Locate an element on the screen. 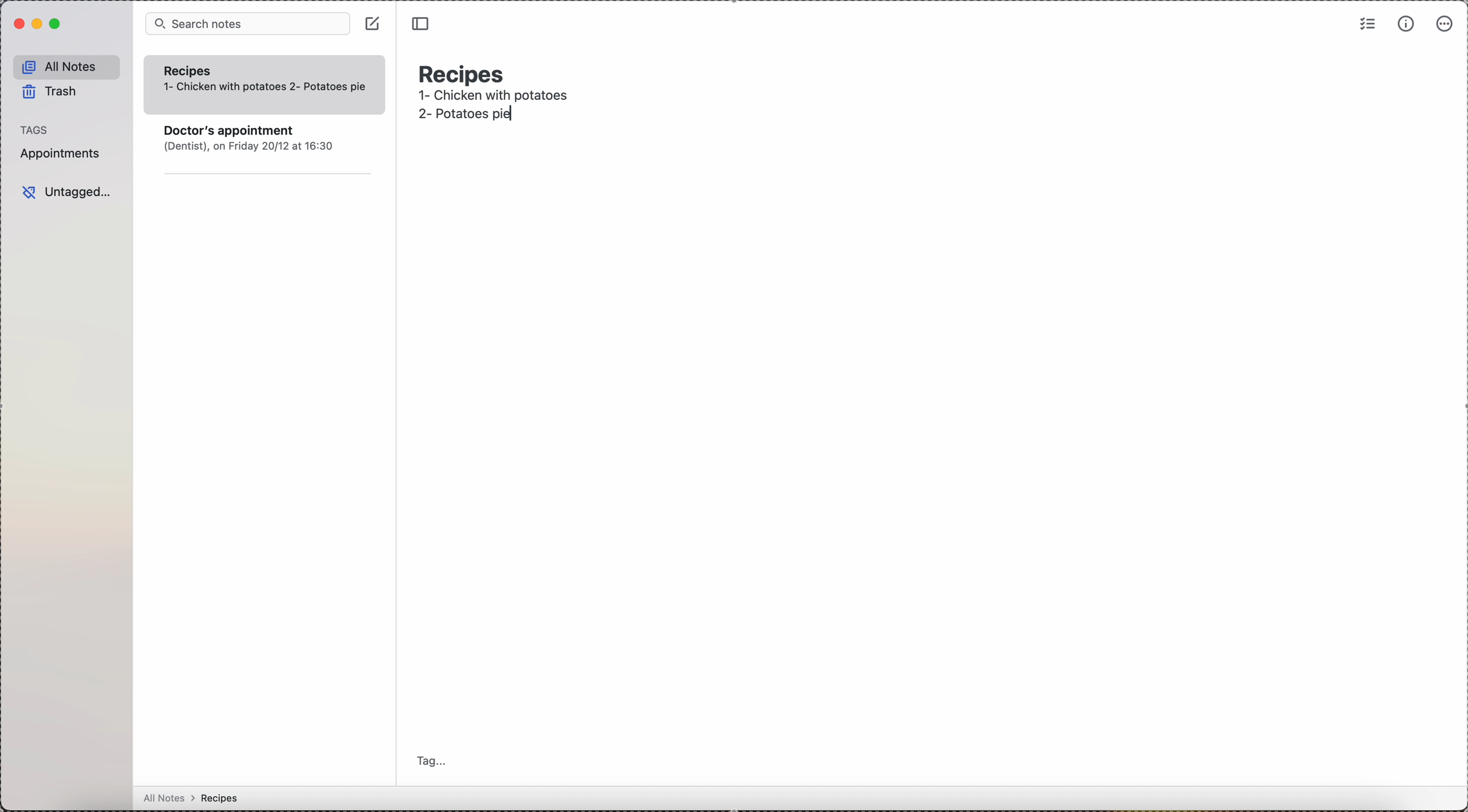 The width and height of the screenshot is (1468, 812). tags is located at coordinates (34, 128).